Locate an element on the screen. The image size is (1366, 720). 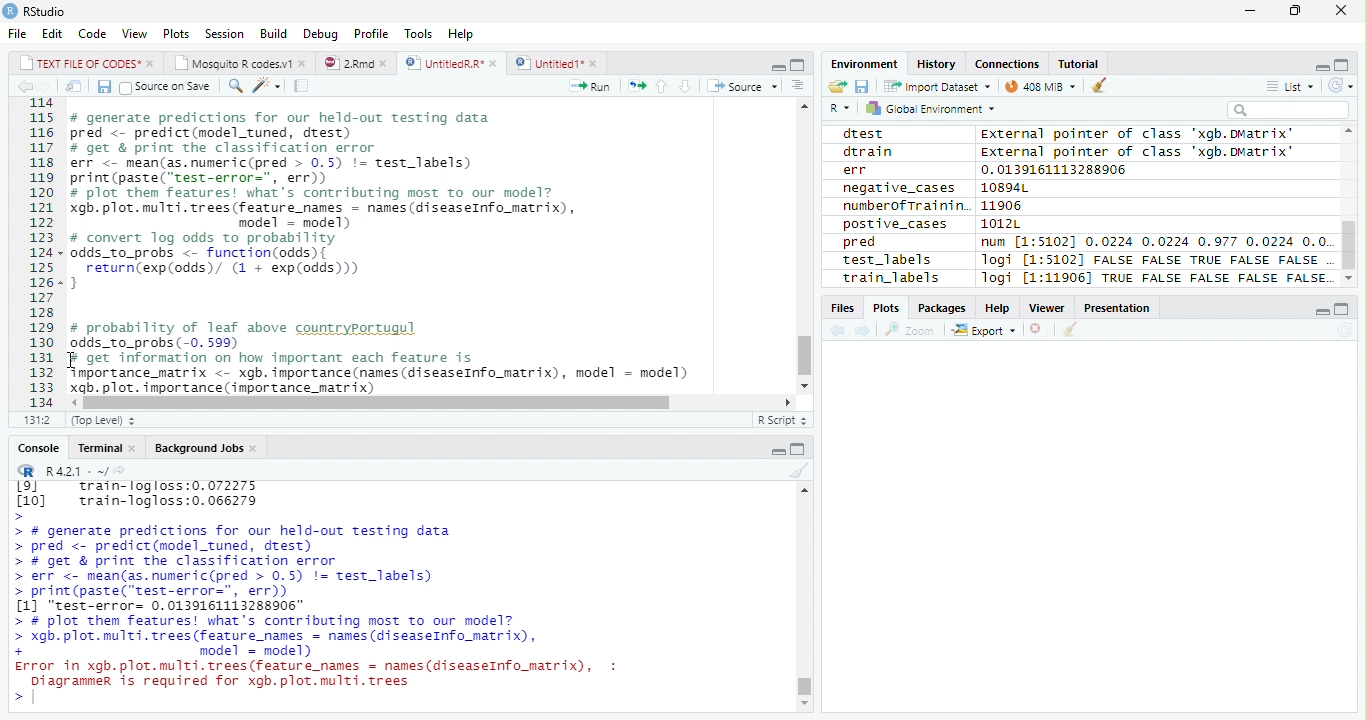
Maximize is located at coordinates (1345, 63).